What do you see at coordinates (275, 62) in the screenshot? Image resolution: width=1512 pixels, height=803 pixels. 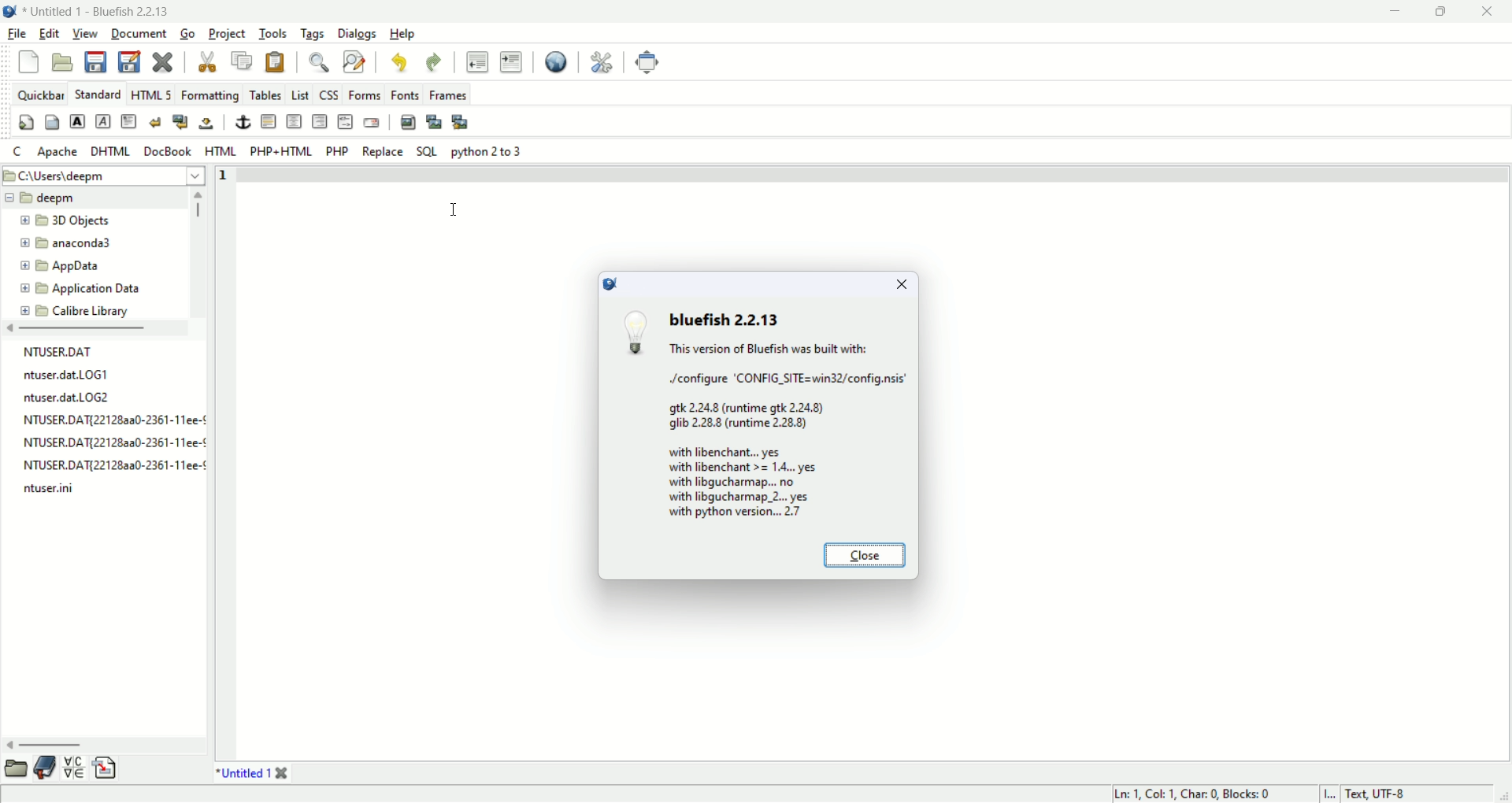 I see `paste` at bounding box center [275, 62].